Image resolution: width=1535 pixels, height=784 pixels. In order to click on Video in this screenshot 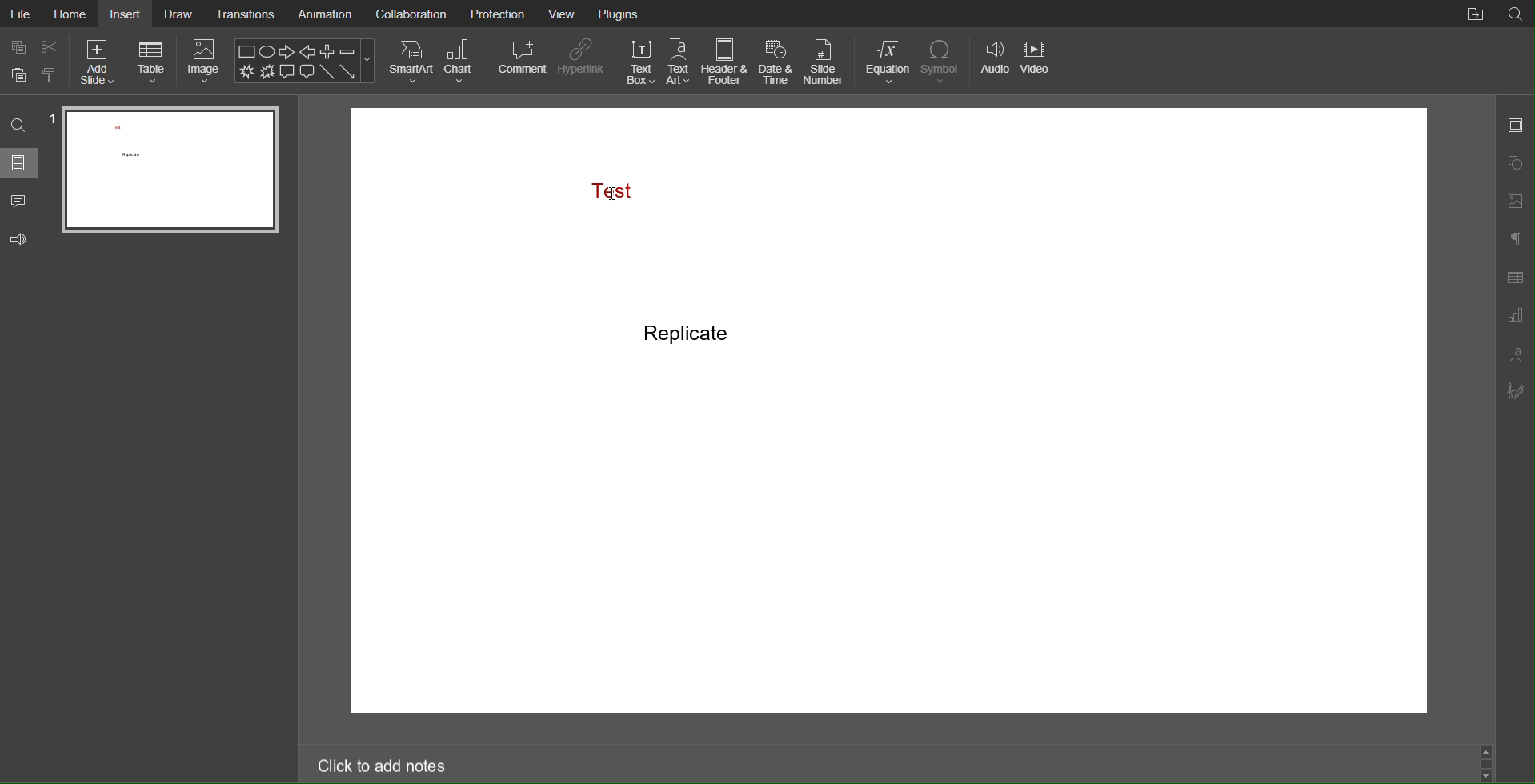, I will do `click(1037, 62)`.